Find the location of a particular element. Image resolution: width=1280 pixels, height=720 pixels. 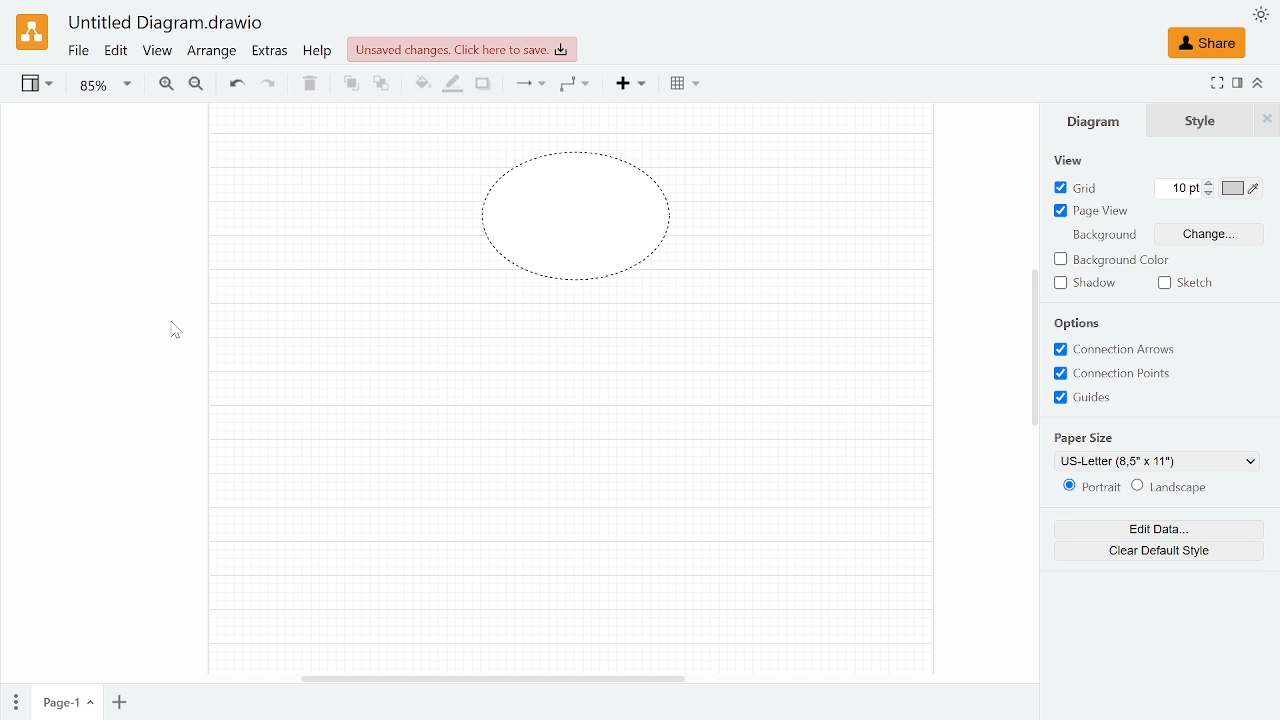

Edit data is located at coordinates (1158, 529).